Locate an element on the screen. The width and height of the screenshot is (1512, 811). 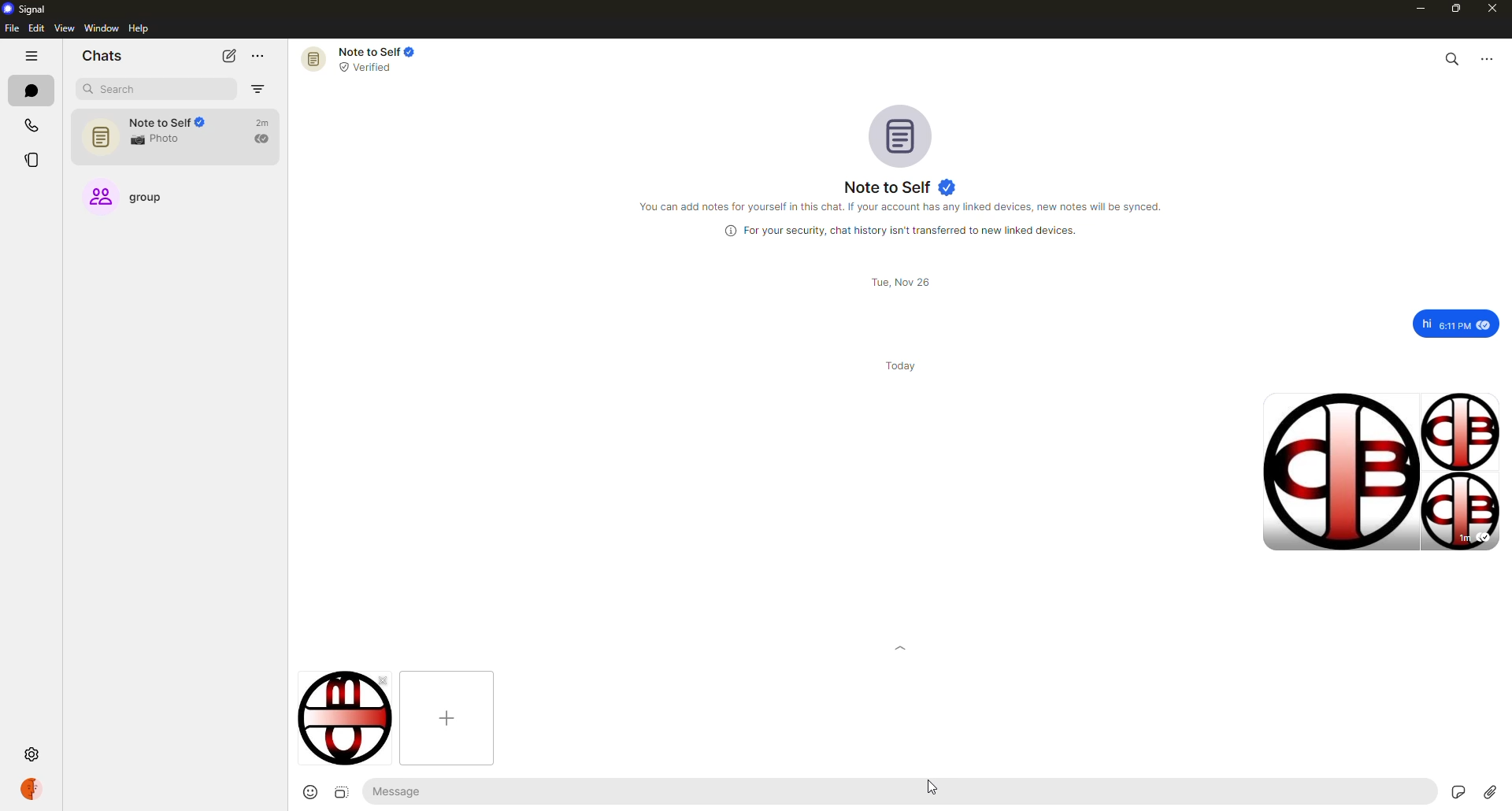
message is located at coordinates (1446, 323).